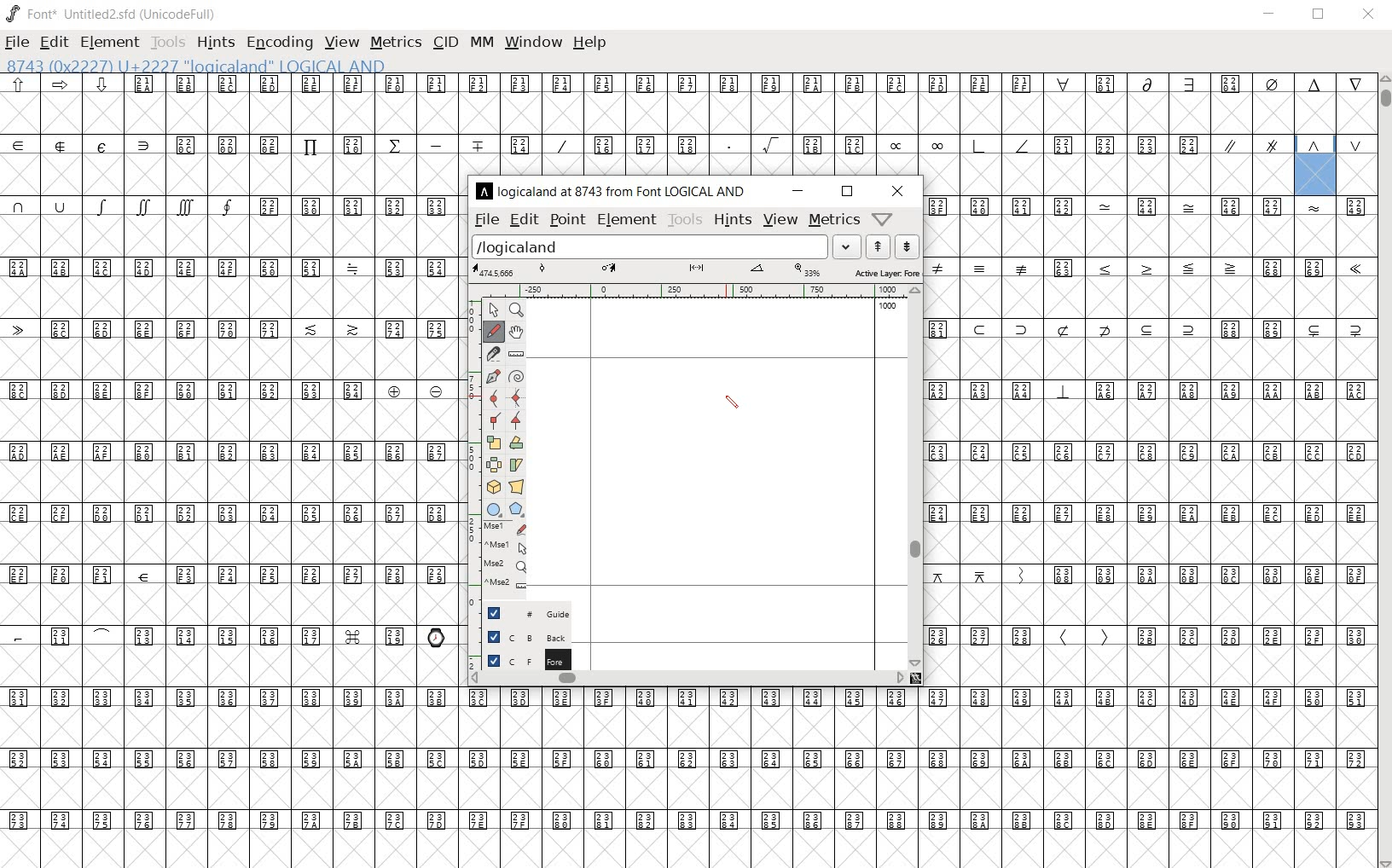 The height and width of the screenshot is (868, 1392). Describe the element at coordinates (216, 44) in the screenshot. I see `hints` at that location.